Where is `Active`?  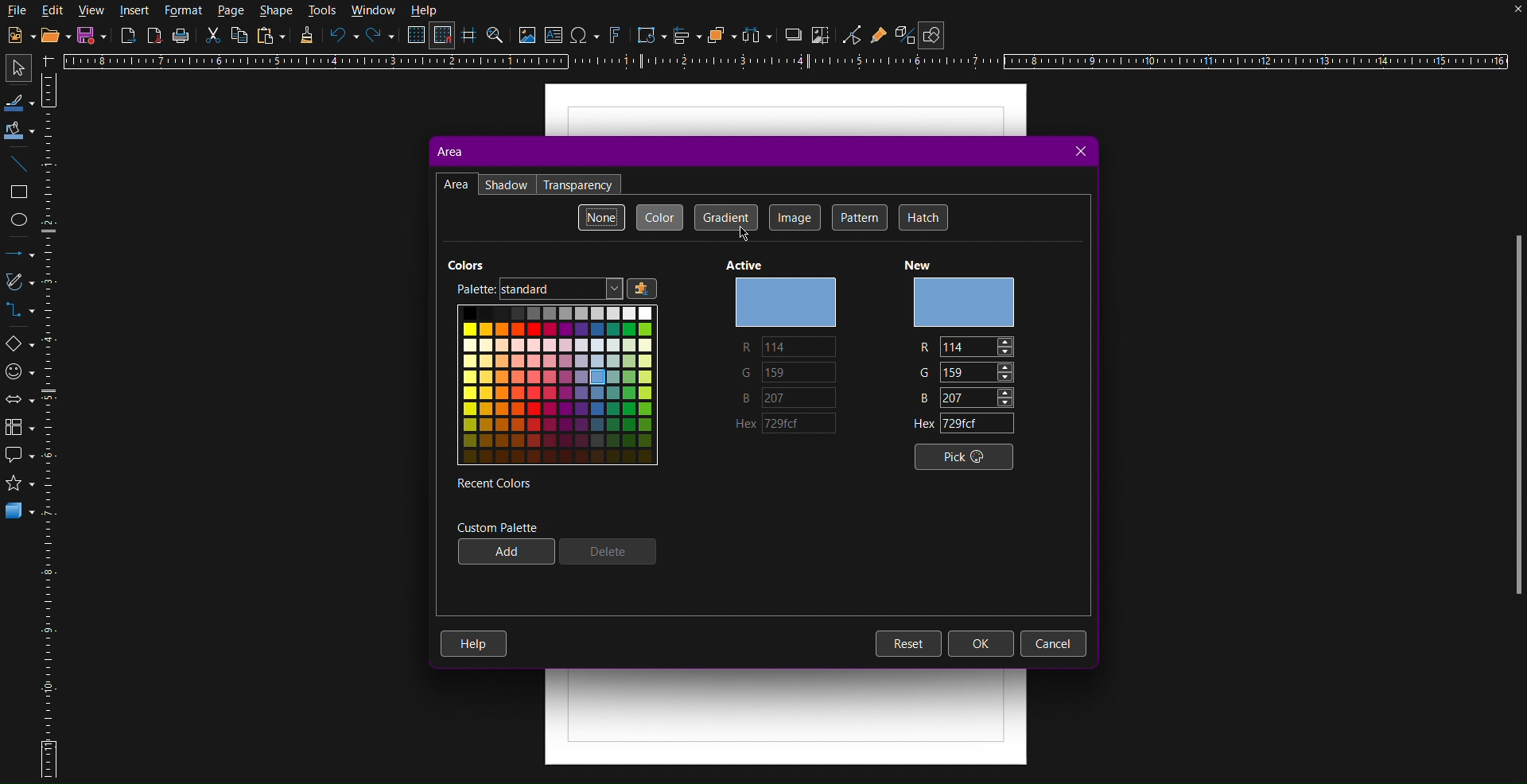 Active is located at coordinates (742, 266).